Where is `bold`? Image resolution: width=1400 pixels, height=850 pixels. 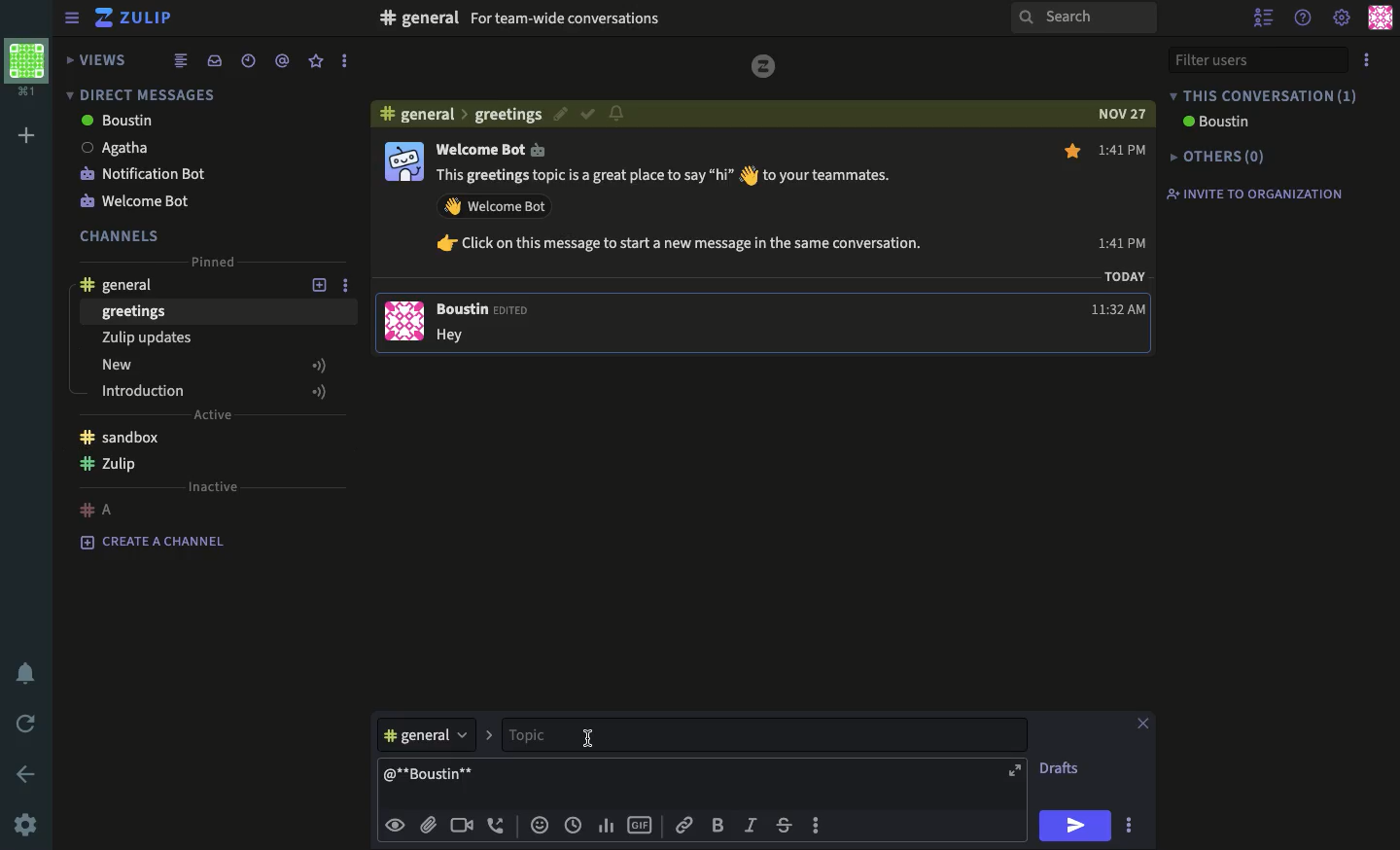 bold is located at coordinates (718, 826).